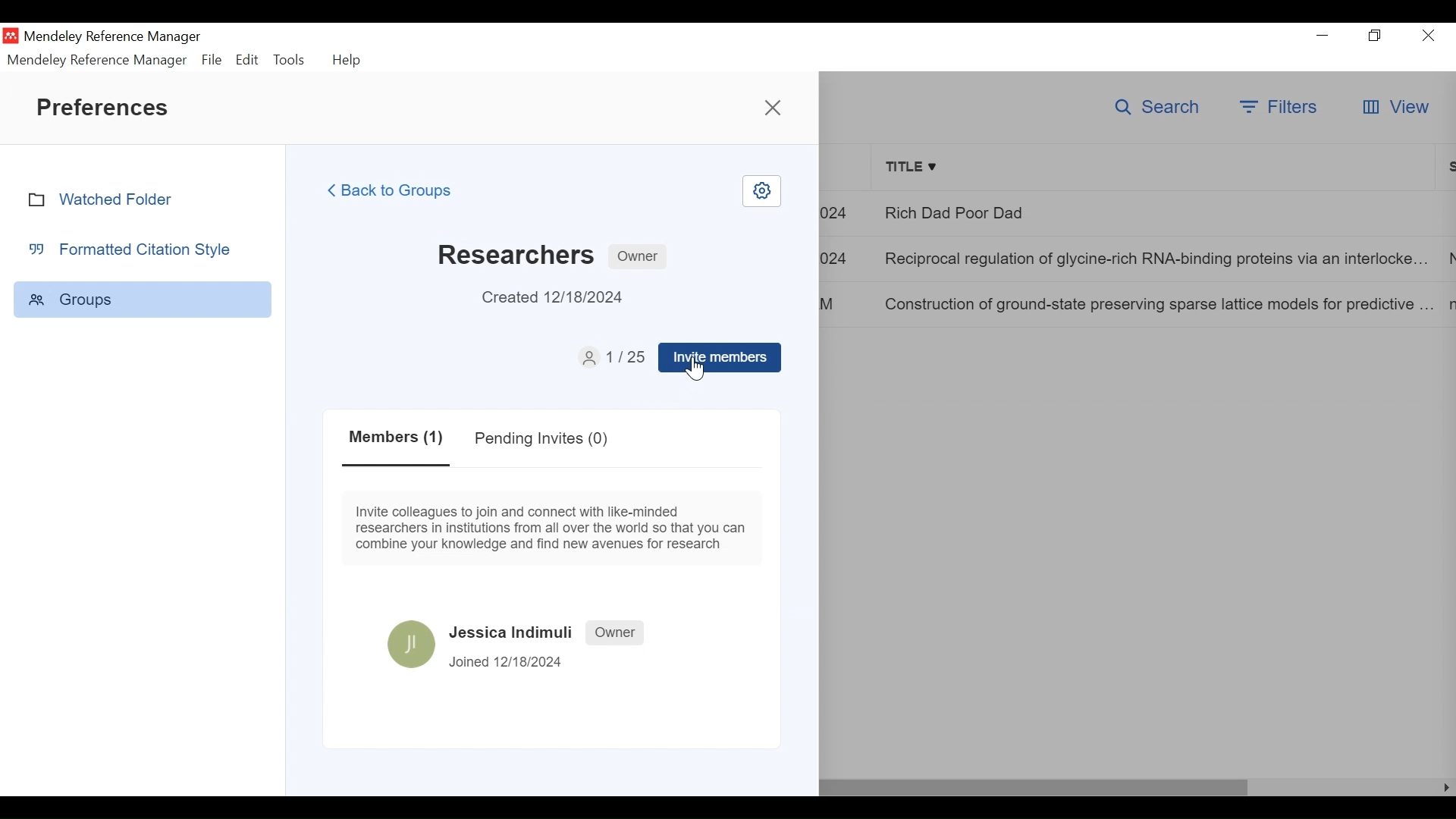 This screenshot has height=819, width=1456. I want to click on Back to Groups, so click(400, 190).